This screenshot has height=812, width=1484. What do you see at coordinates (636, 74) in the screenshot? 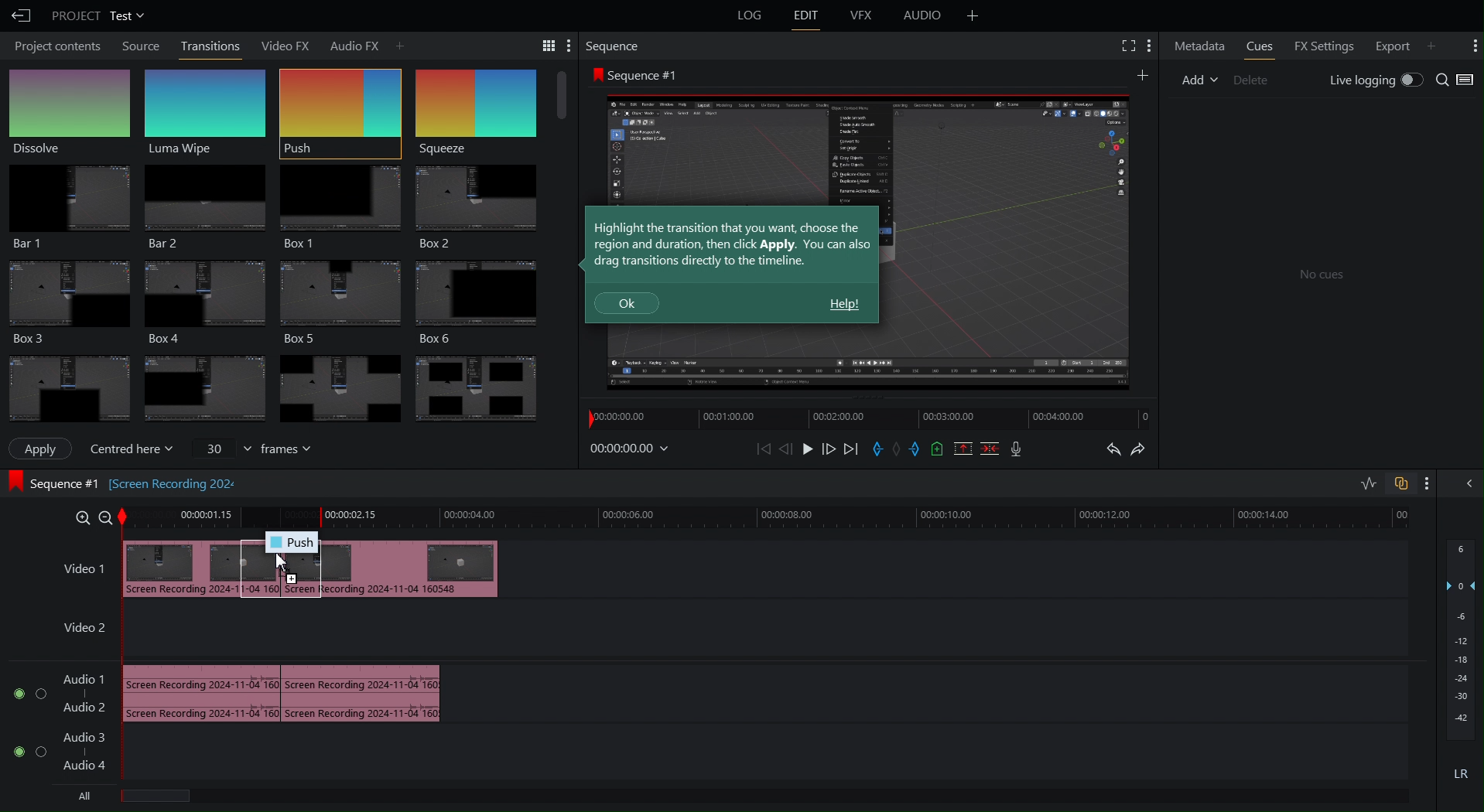
I see `Sequence #1` at bounding box center [636, 74].